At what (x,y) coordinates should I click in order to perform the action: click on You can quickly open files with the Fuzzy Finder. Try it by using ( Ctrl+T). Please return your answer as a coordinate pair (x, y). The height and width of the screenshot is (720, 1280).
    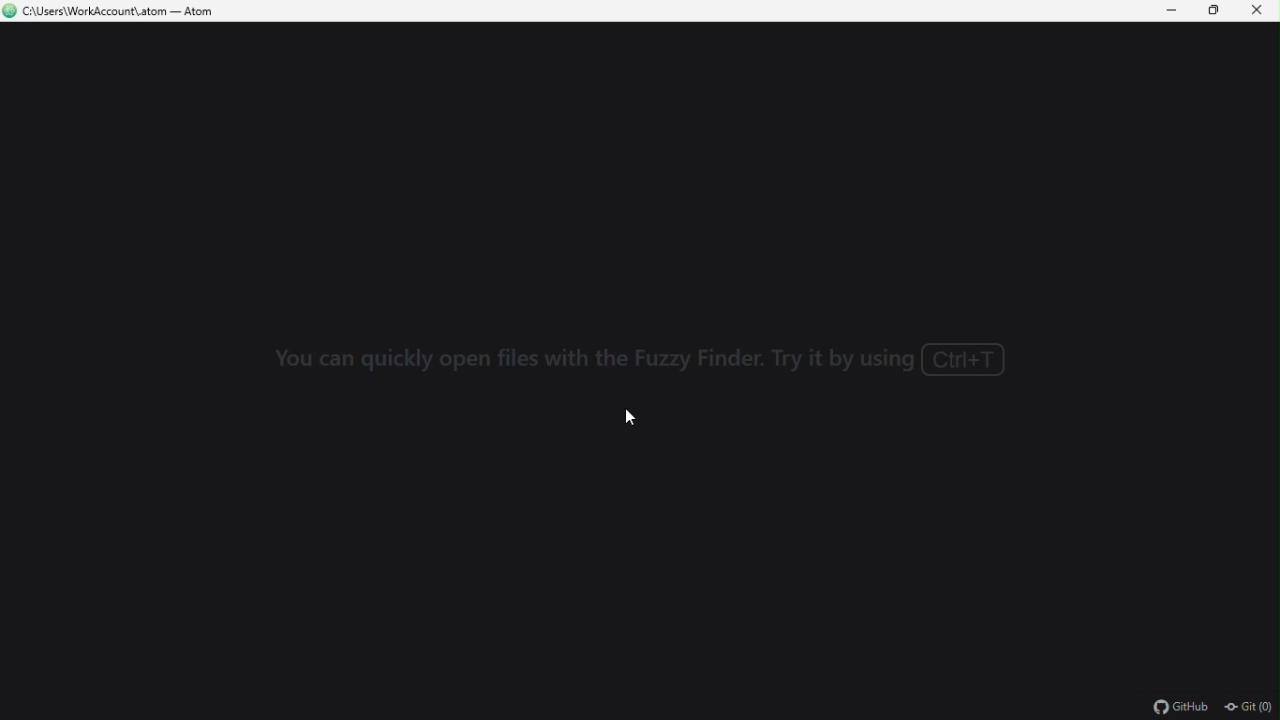
    Looking at the image, I should click on (631, 360).